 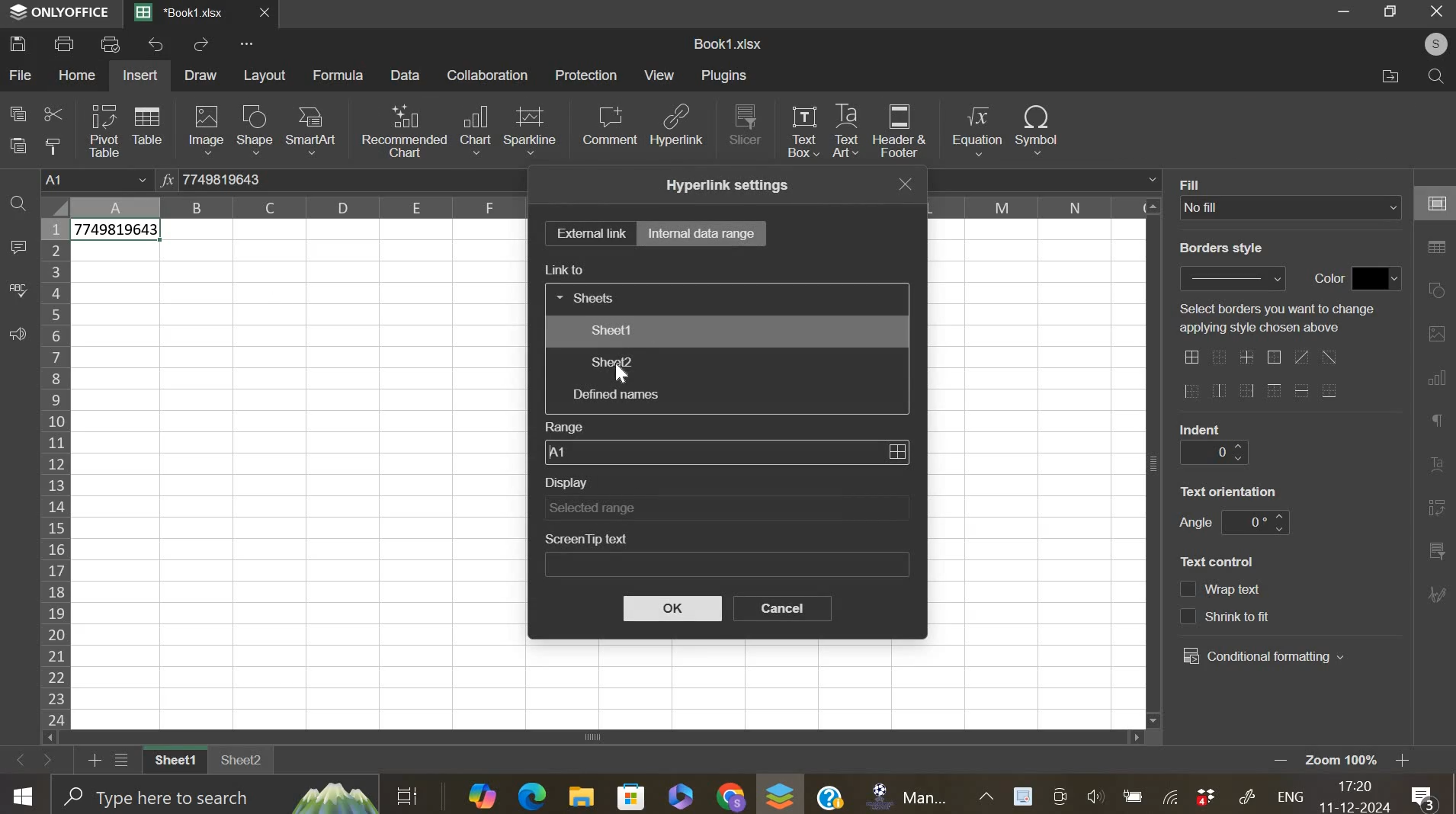 What do you see at coordinates (18, 248) in the screenshot?
I see `comment` at bounding box center [18, 248].